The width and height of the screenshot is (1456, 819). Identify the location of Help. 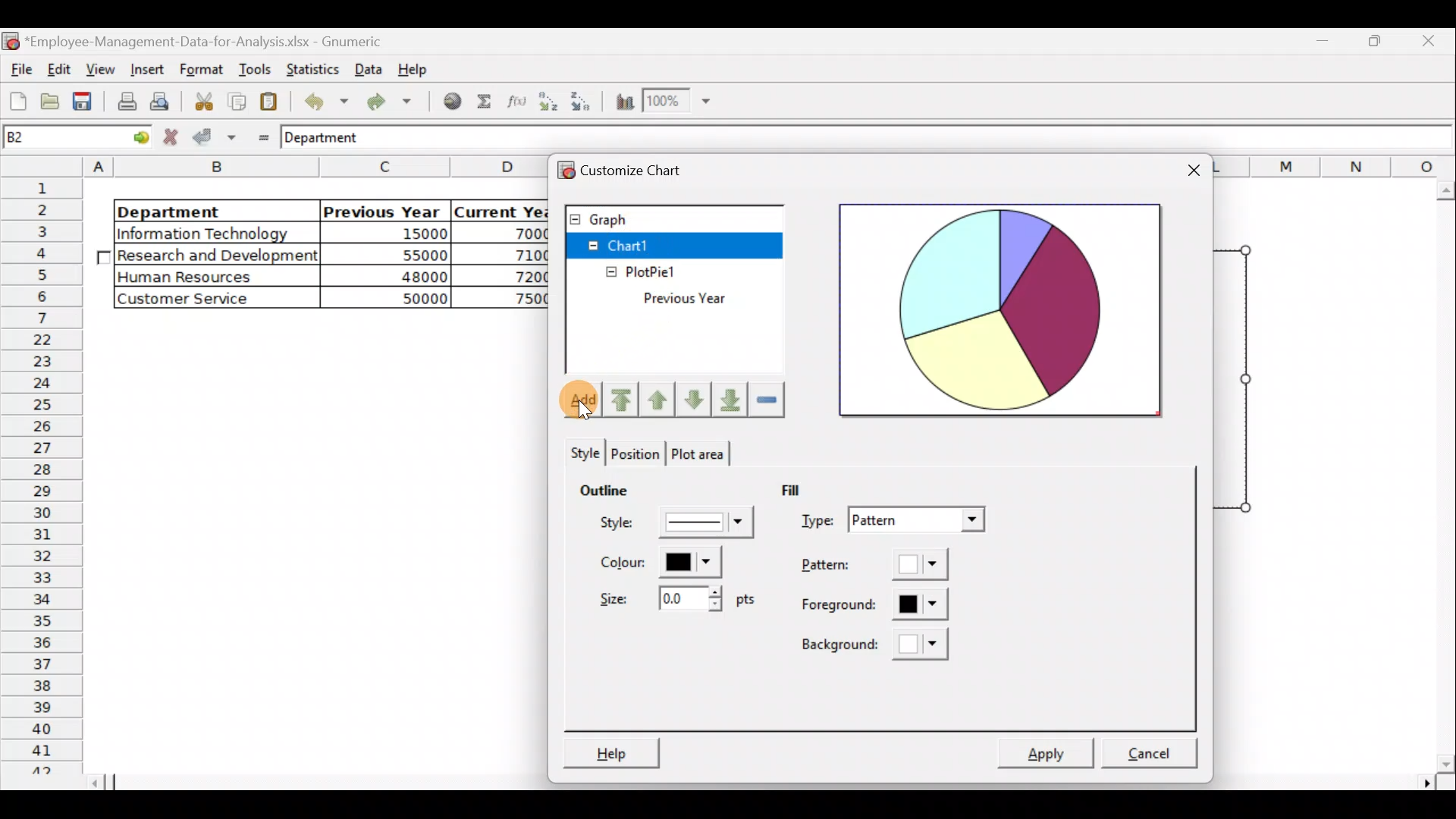
(416, 73).